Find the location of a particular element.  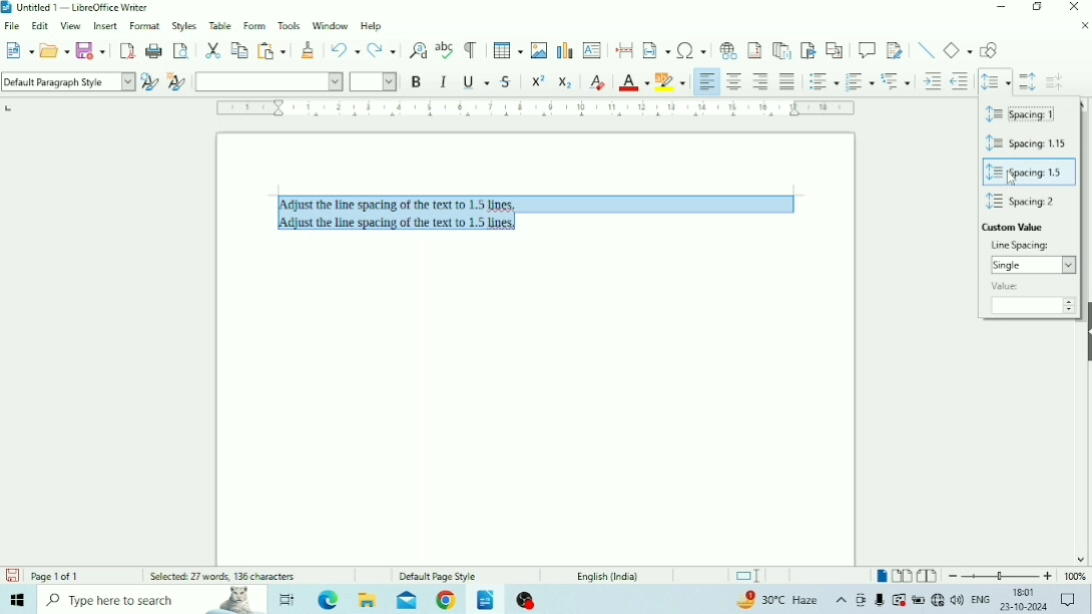

Format is located at coordinates (145, 25).